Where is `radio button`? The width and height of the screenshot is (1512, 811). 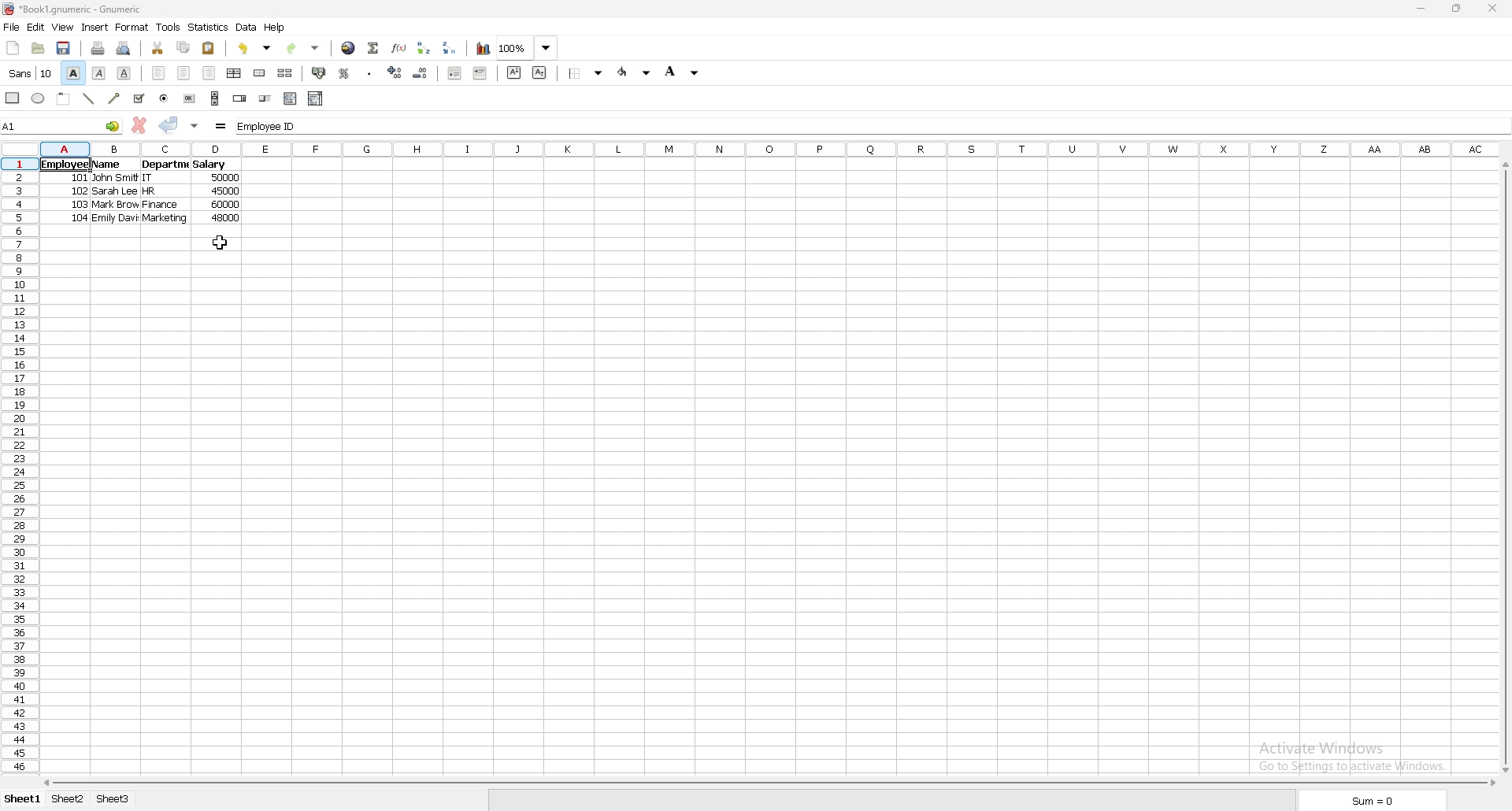 radio button is located at coordinates (164, 98).